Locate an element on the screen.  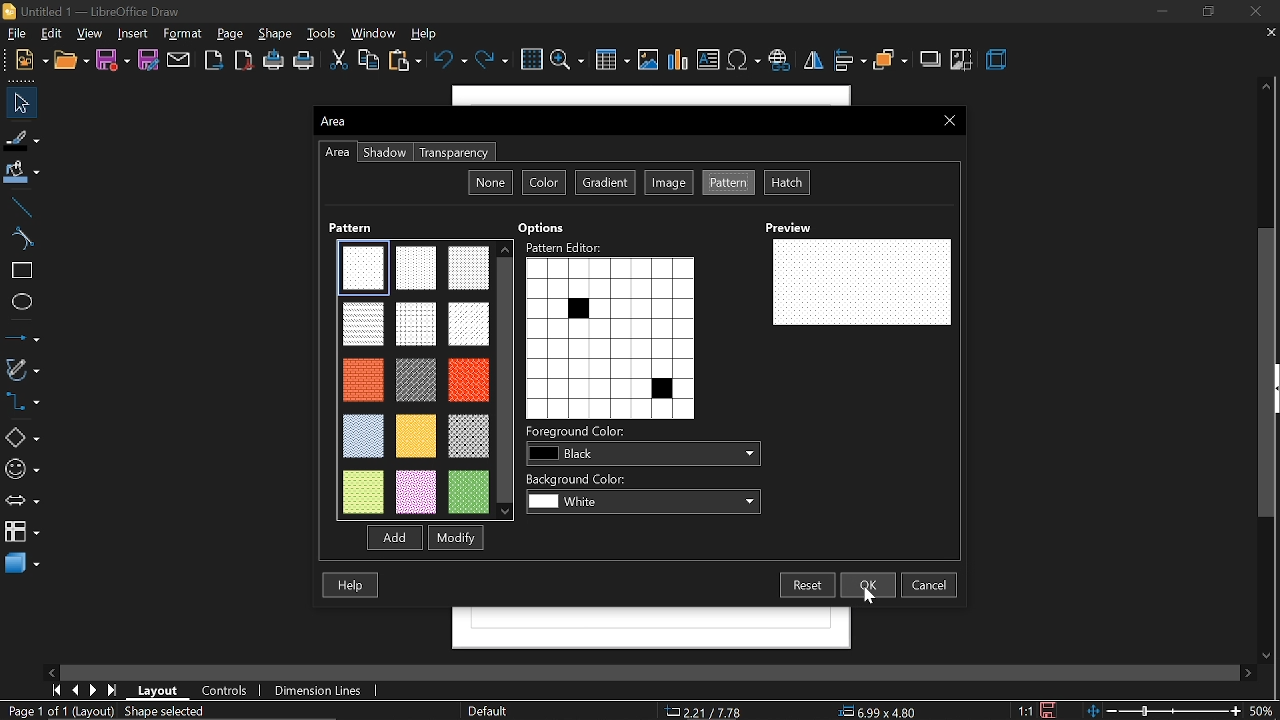
close current tab is located at coordinates (1270, 31).